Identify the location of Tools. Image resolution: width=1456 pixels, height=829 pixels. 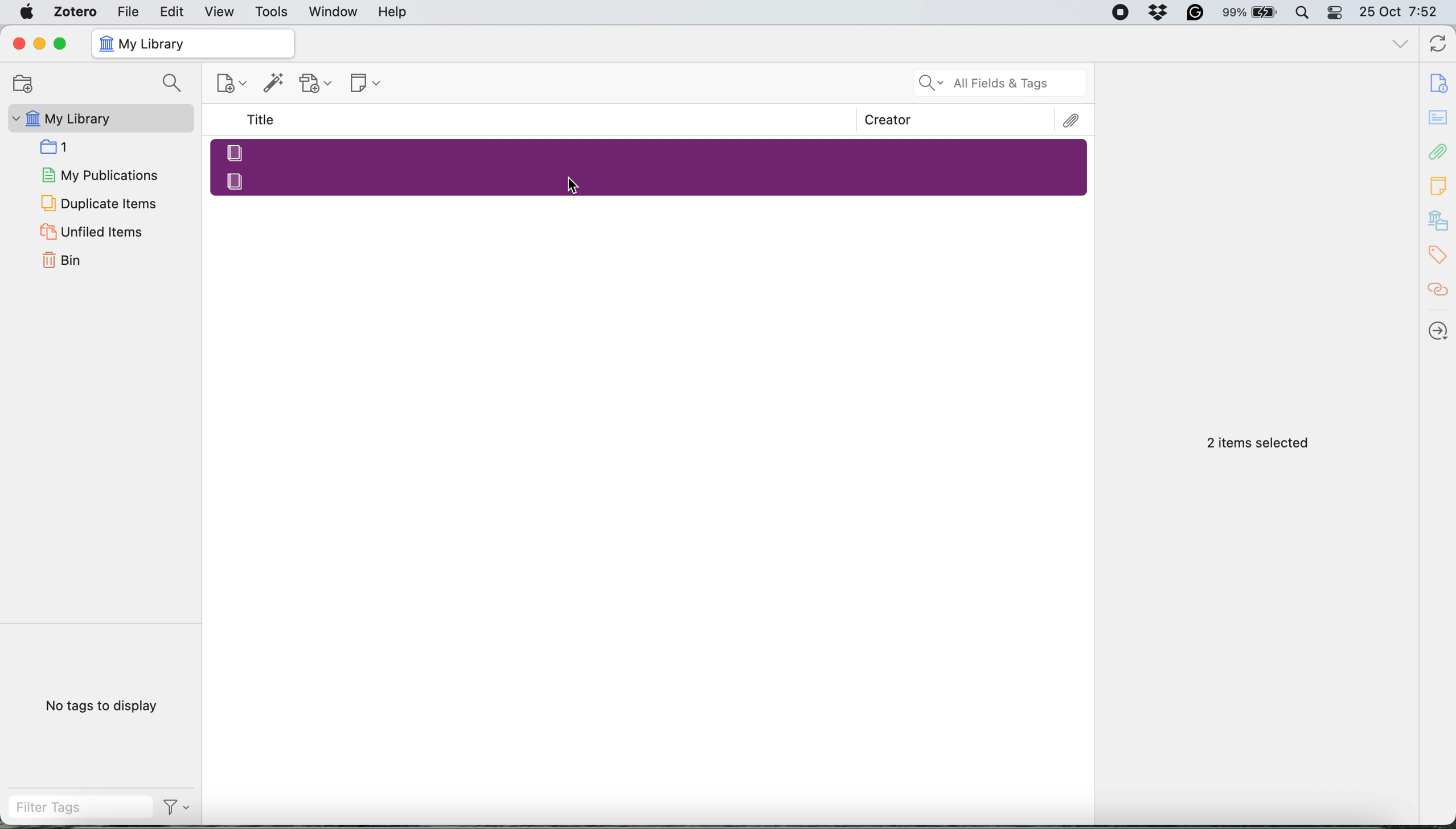
(272, 13).